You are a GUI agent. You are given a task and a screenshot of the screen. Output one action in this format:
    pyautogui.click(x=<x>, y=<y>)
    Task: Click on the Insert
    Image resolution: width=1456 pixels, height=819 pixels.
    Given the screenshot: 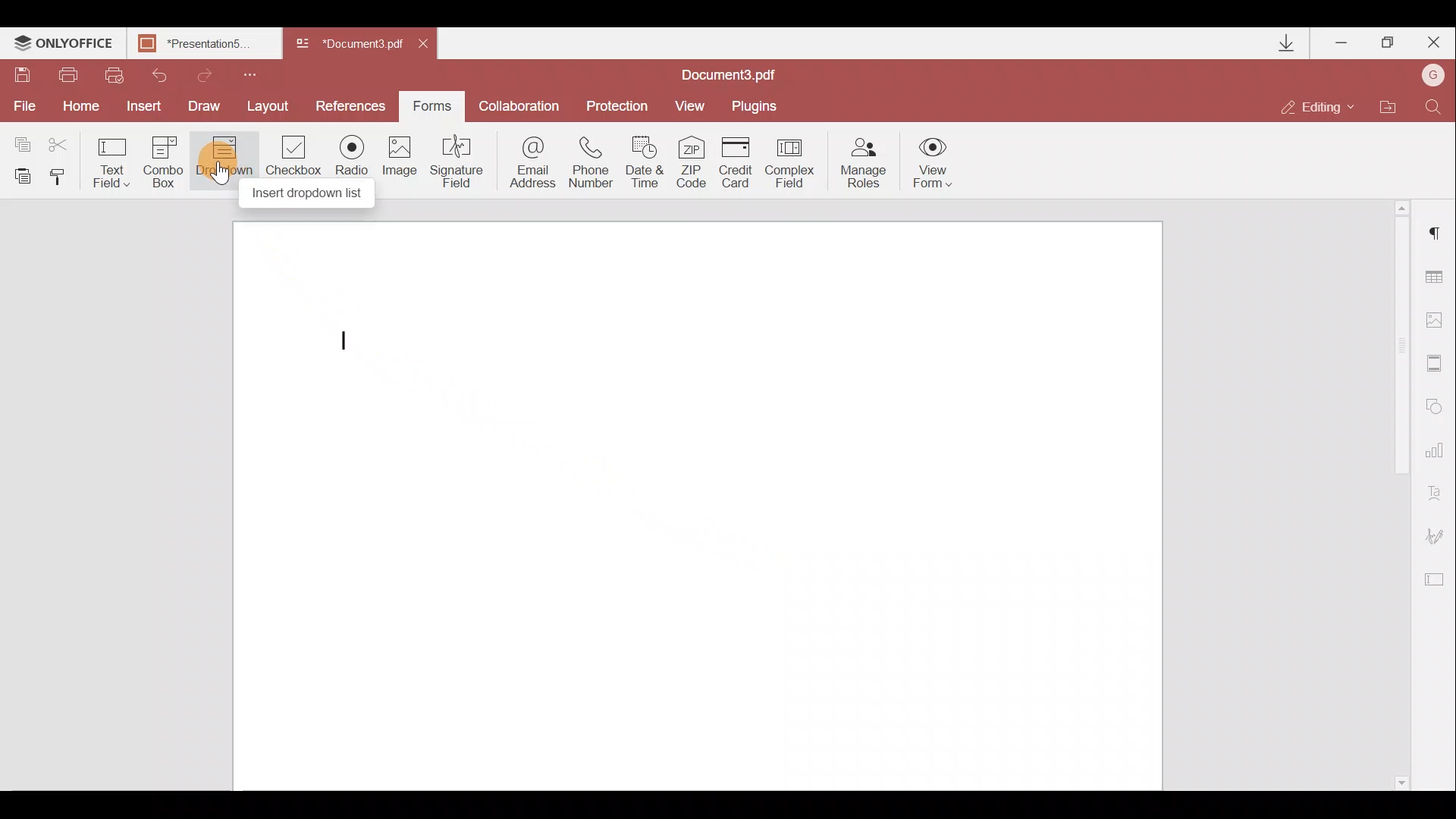 What is the action you would take?
    pyautogui.click(x=147, y=106)
    